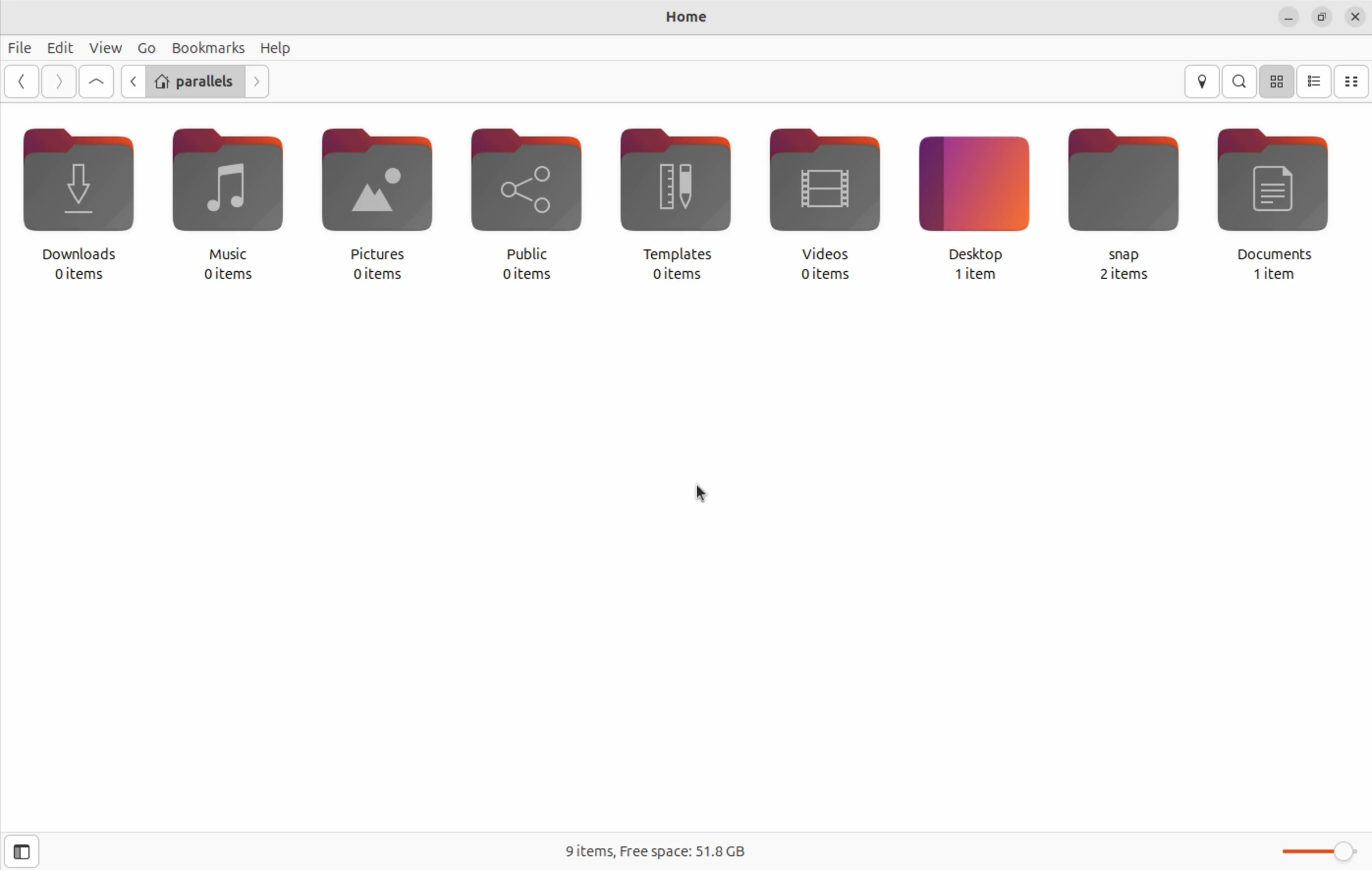  I want to click on snap, so click(1123, 194).